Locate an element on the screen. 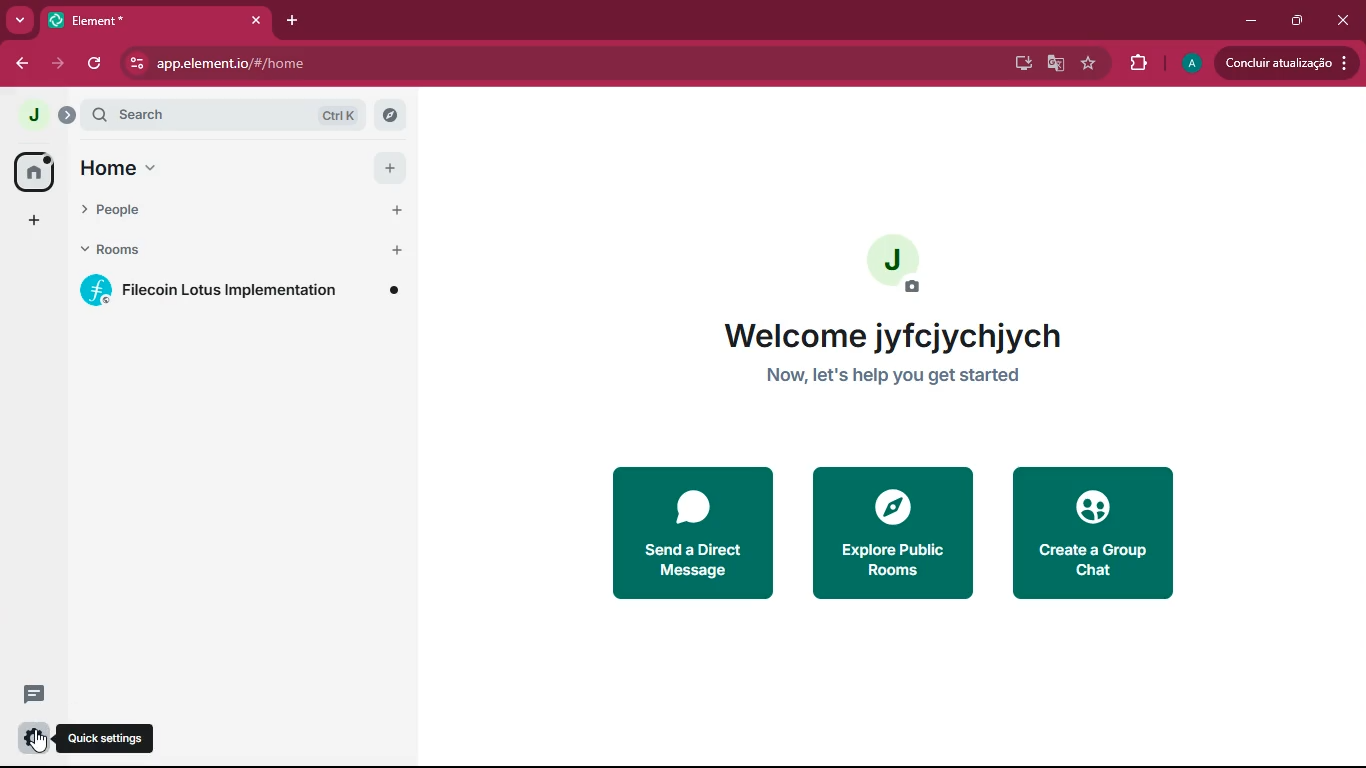 The height and width of the screenshot is (768, 1366). restore down is located at coordinates (1295, 20).